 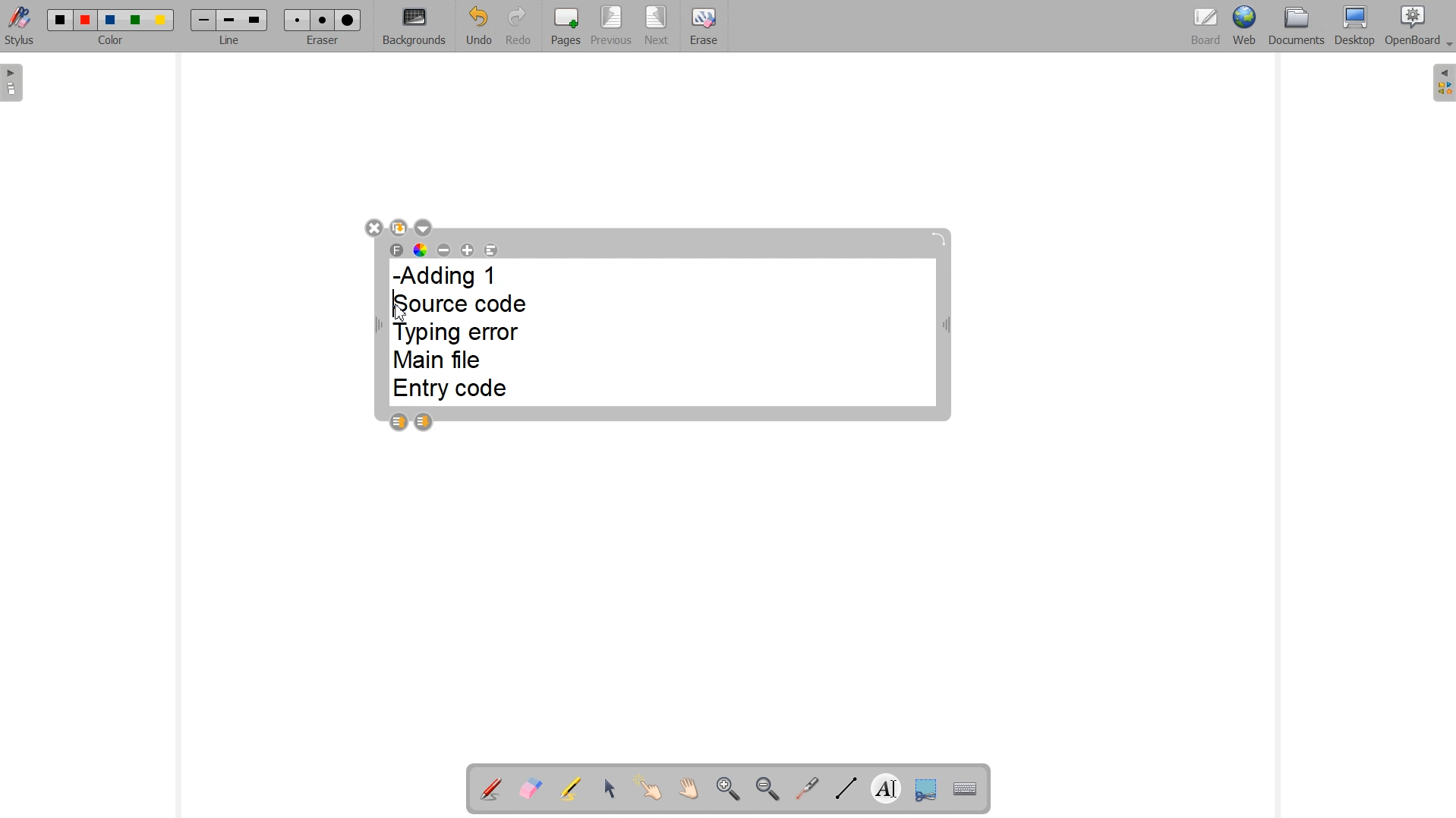 I want to click on Select font, so click(x=397, y=250).